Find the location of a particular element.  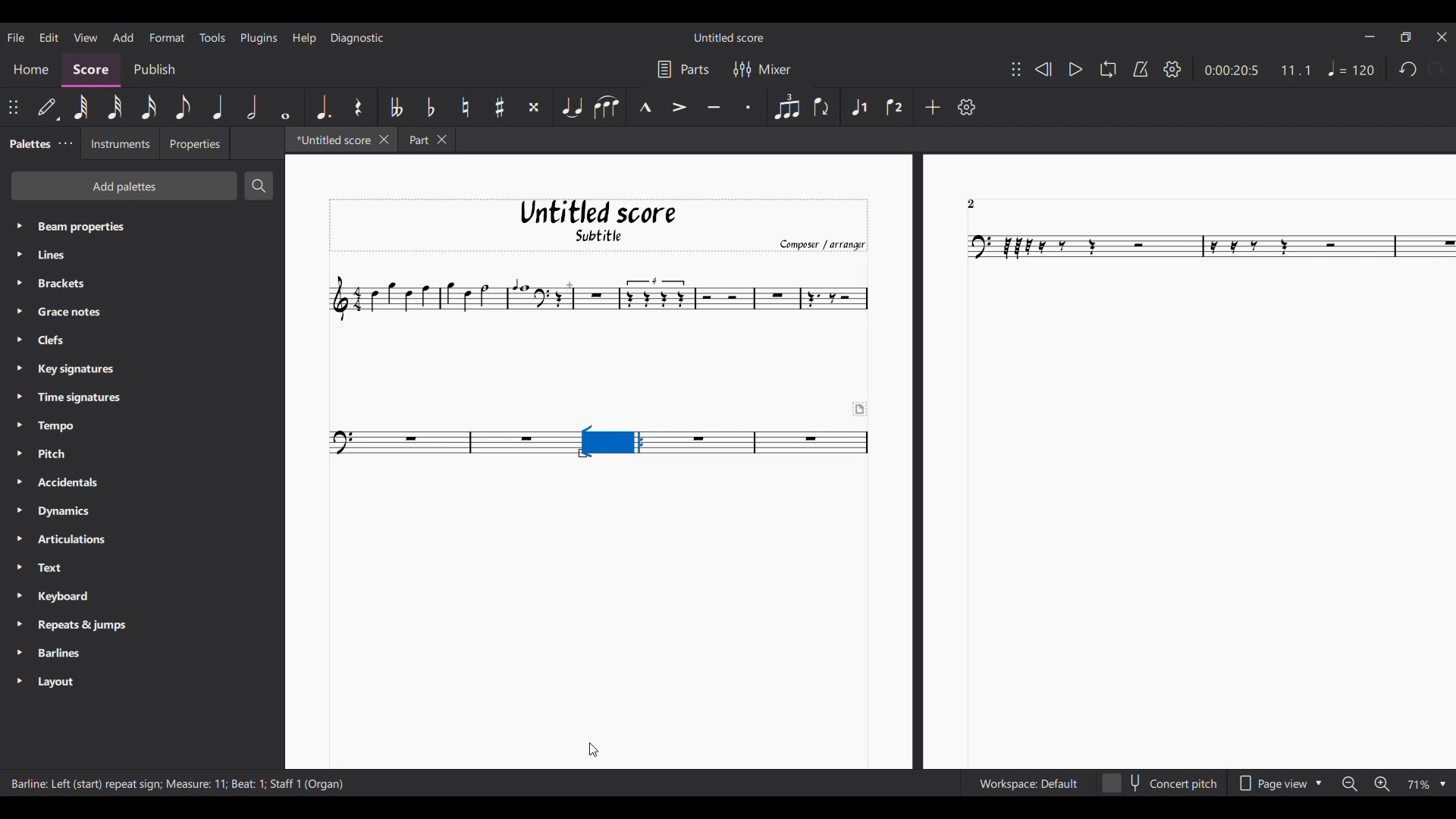

Toggle double sharp is located at coordinates (533, 108).